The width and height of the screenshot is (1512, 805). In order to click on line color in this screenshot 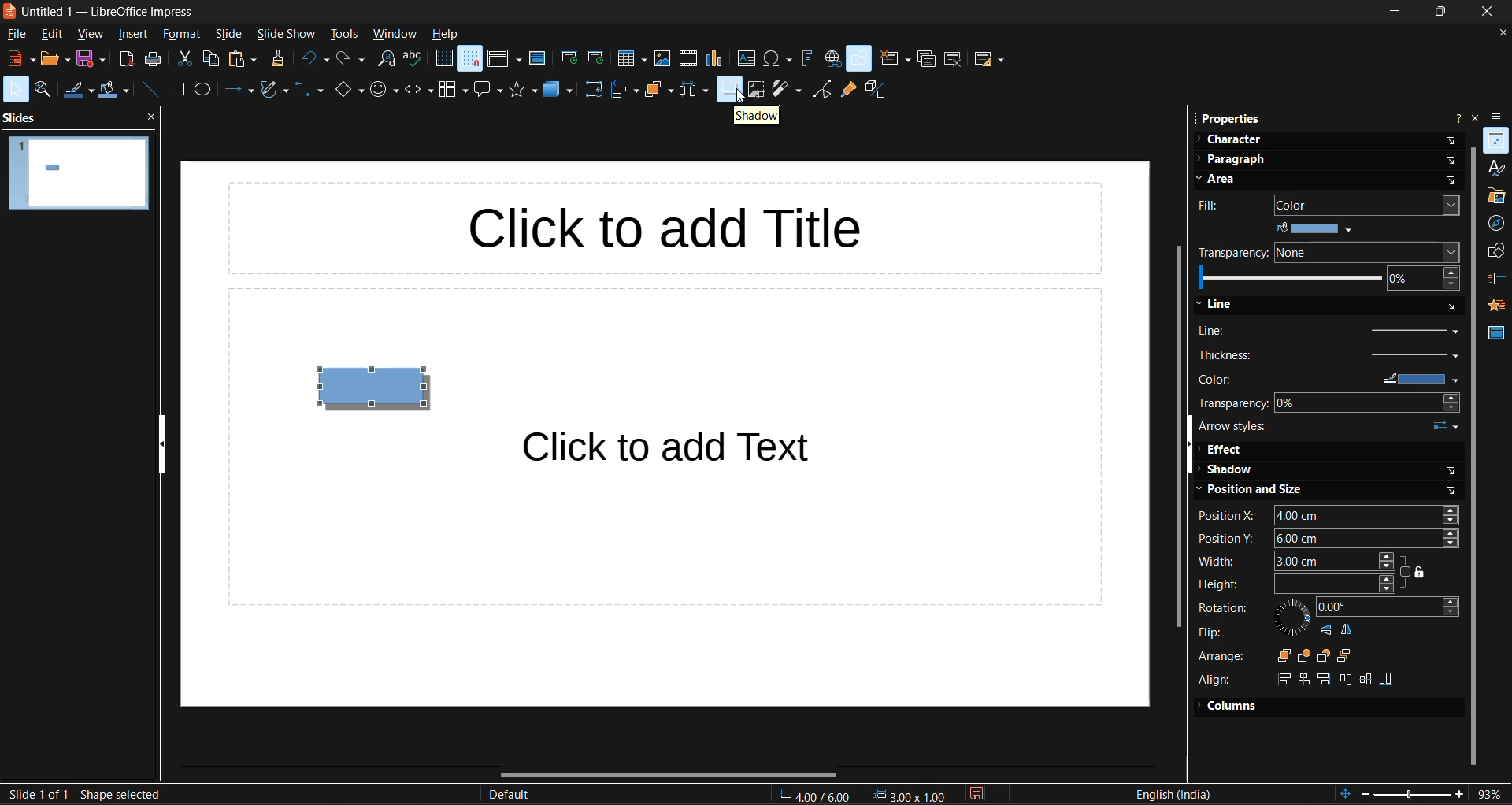, I will do `click(75, 91)`.